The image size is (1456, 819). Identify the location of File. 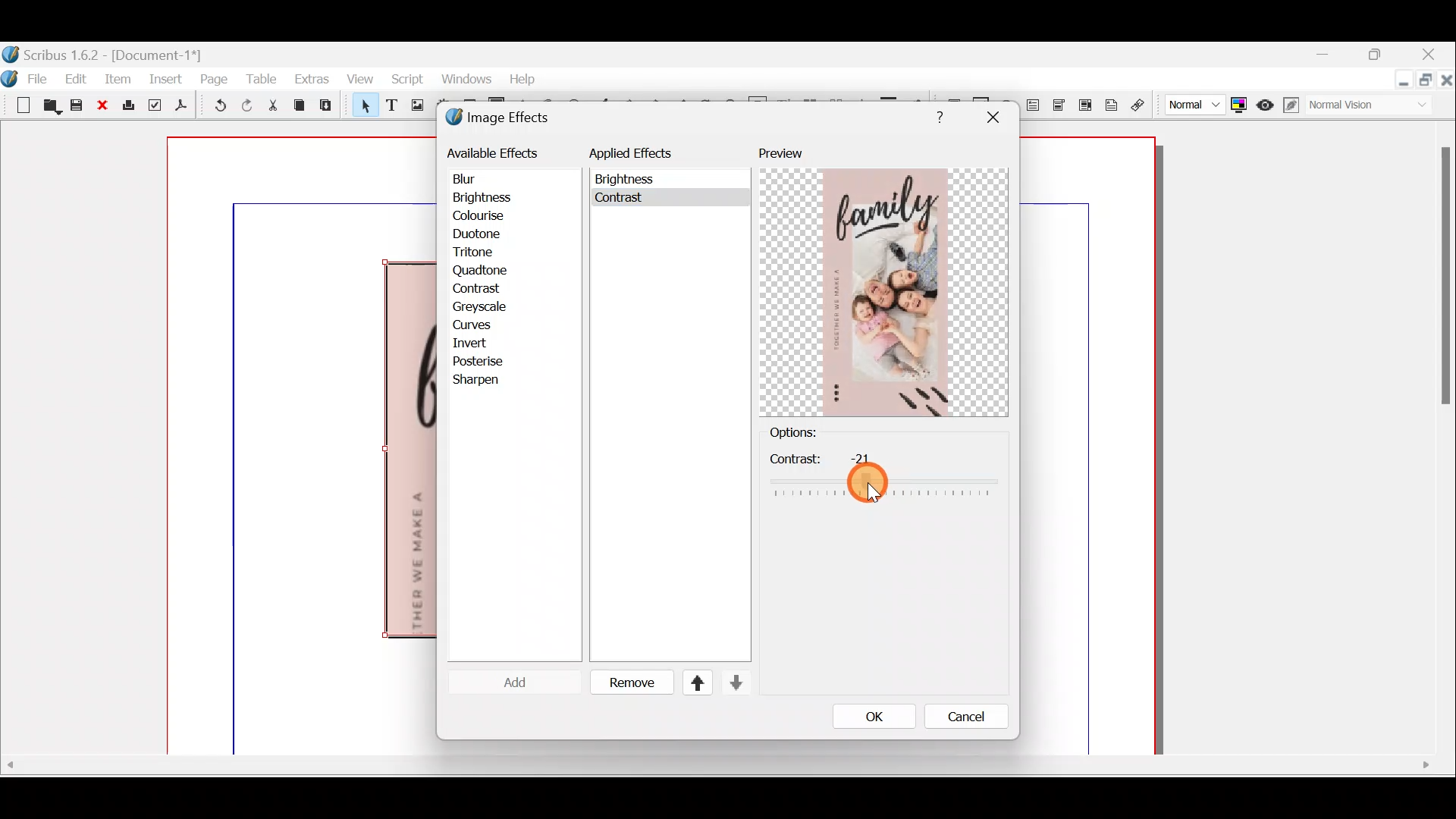
(42, 77).